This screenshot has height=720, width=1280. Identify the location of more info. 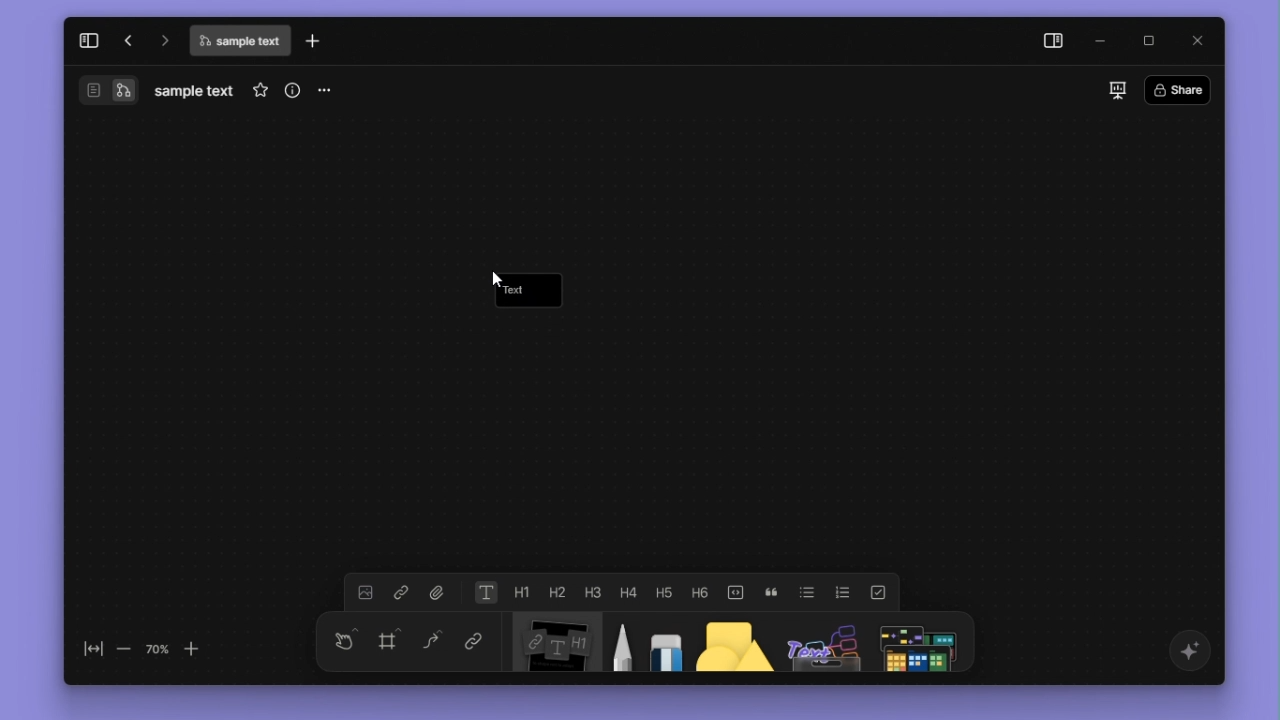
(289, 90).